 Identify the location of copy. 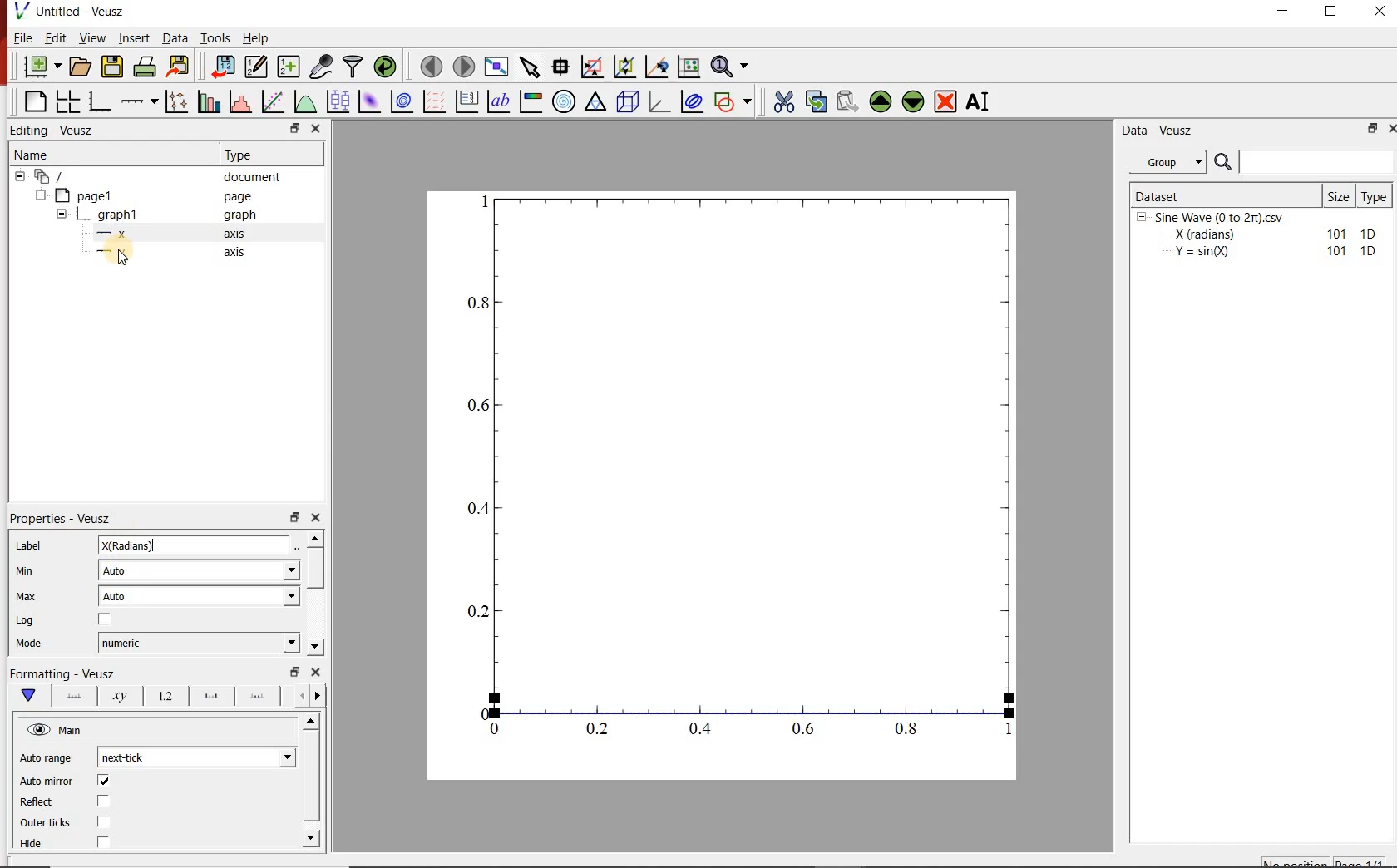
(816, 100).